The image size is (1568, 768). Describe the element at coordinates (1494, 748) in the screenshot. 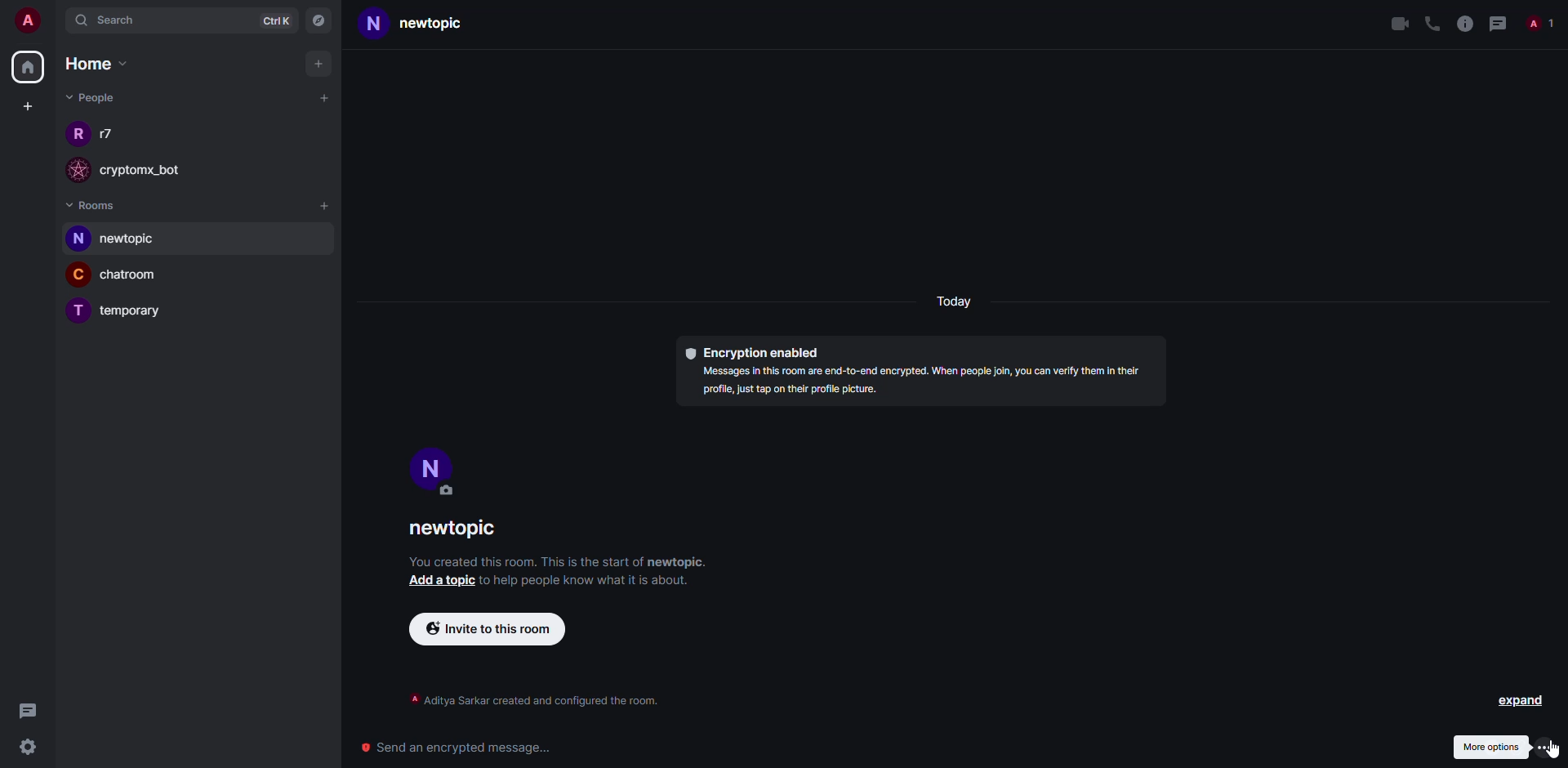

I see `more options` at that location.